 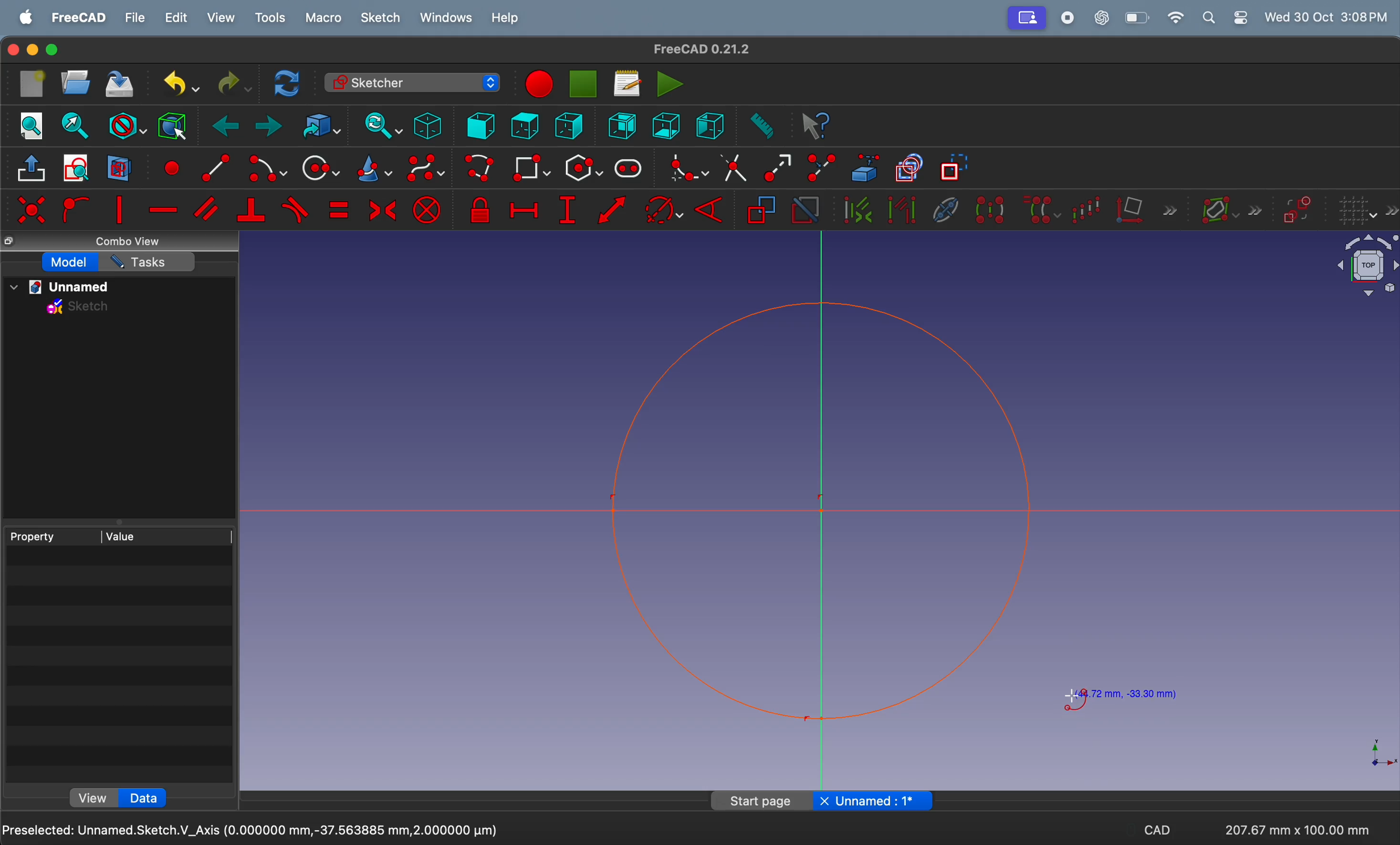 What do you see at coordinates (482, 211) in the screenshot?
I see `constrain lock` at bounding box center [482, 211].